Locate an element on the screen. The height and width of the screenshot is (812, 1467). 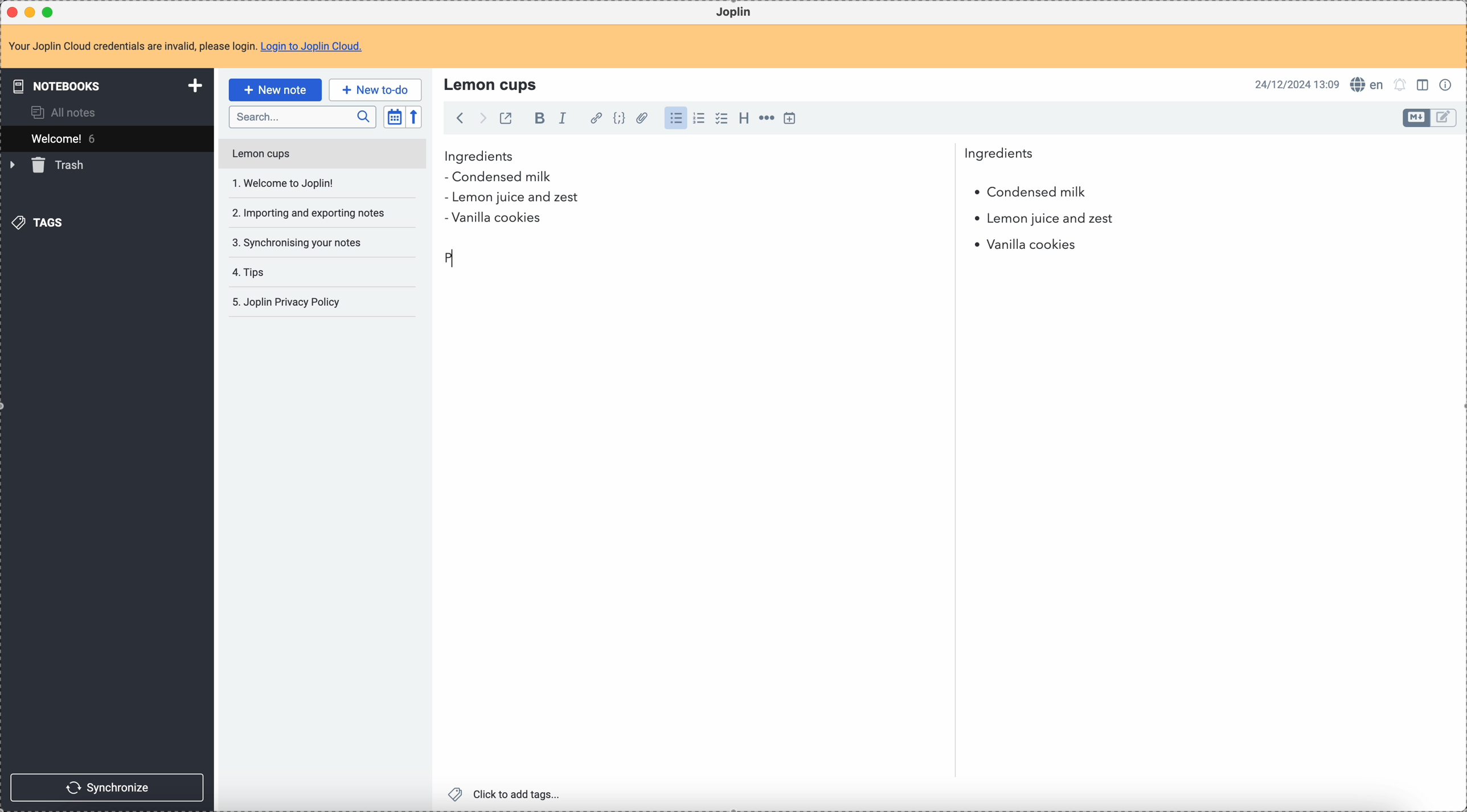
vanilla cookies is located at coordinates (493, 219).